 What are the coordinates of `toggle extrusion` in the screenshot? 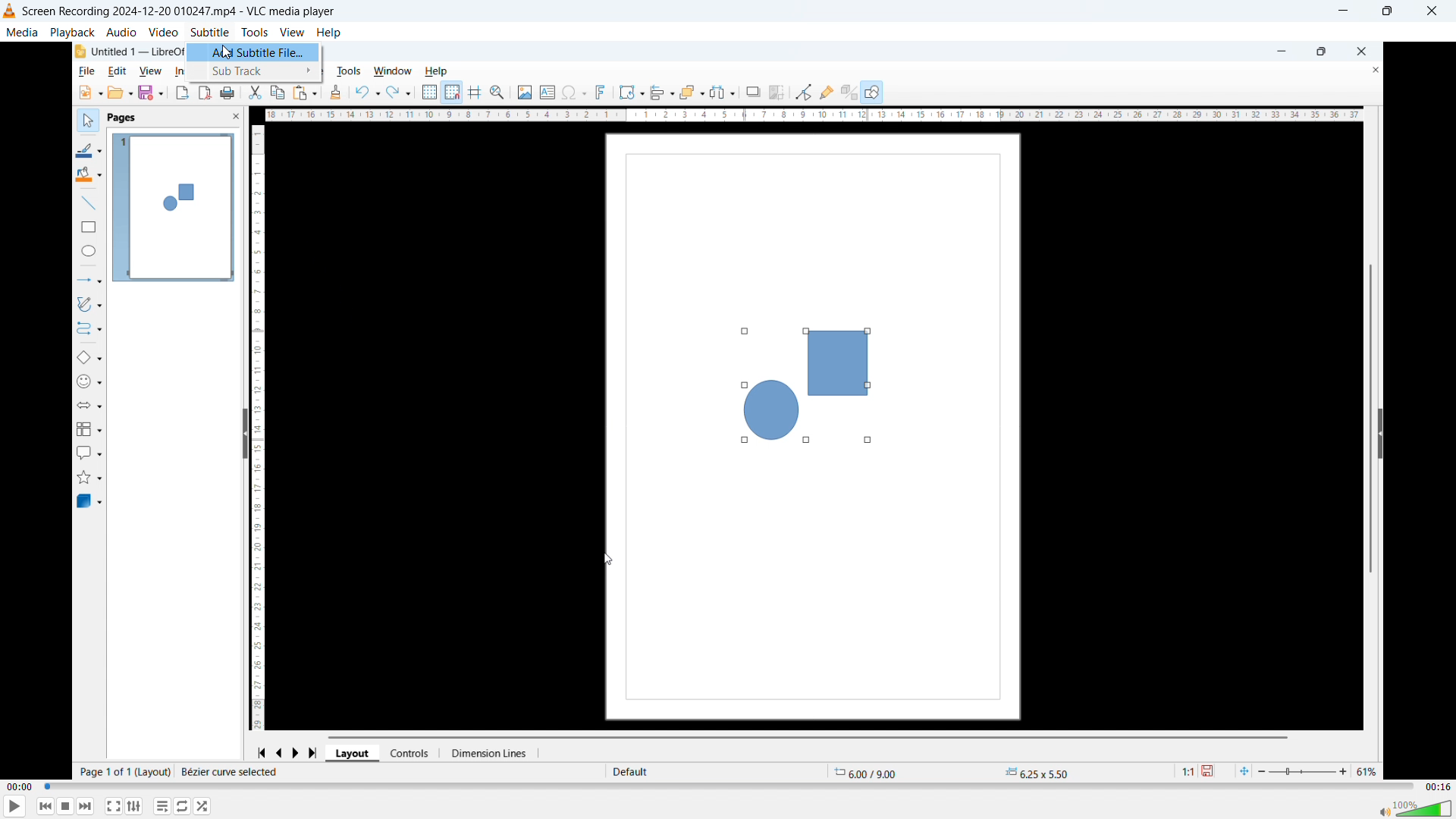 It's located at (849, 93).